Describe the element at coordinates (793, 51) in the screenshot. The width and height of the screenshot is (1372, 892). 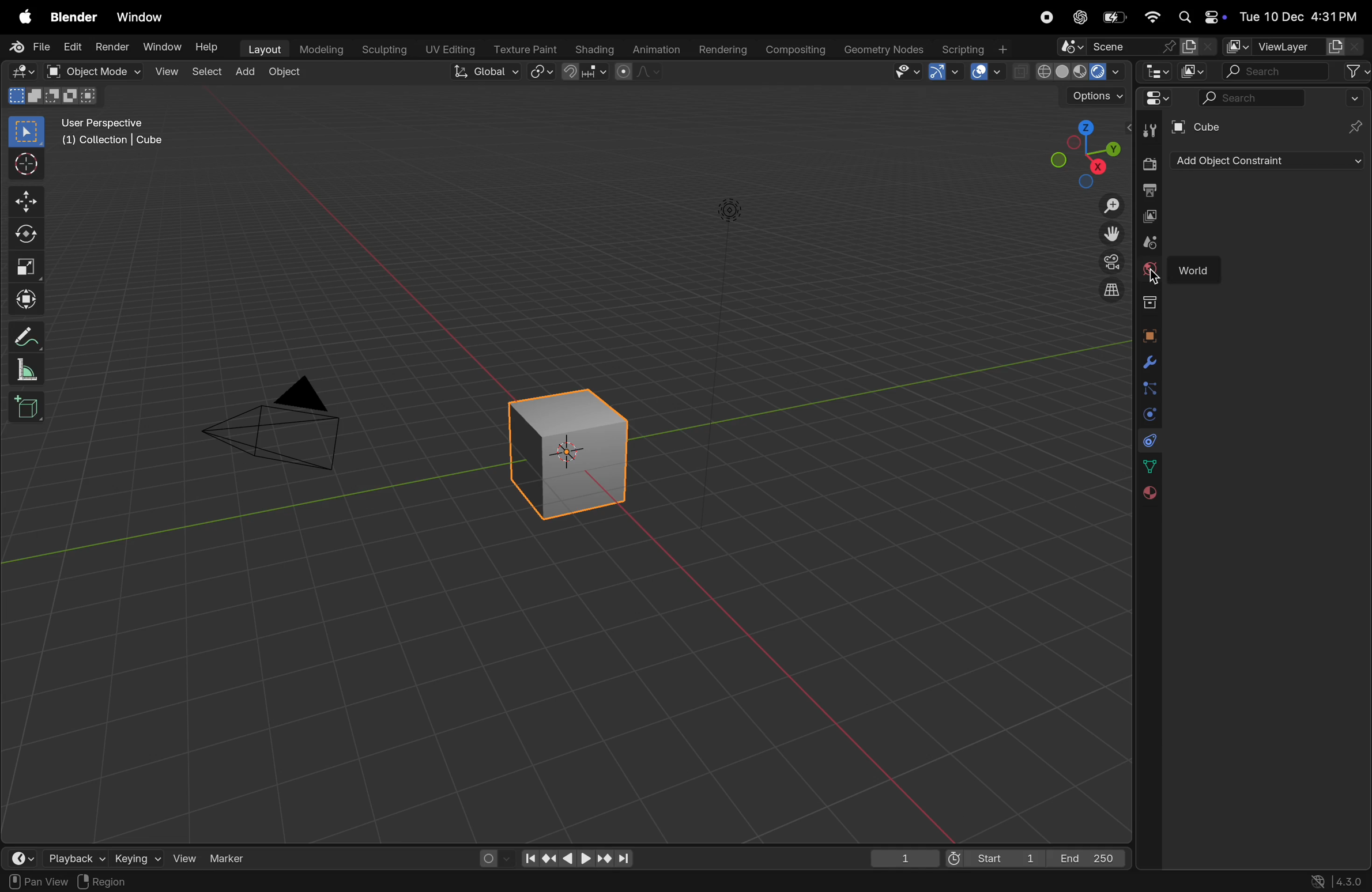
I see `Composting` at that location.